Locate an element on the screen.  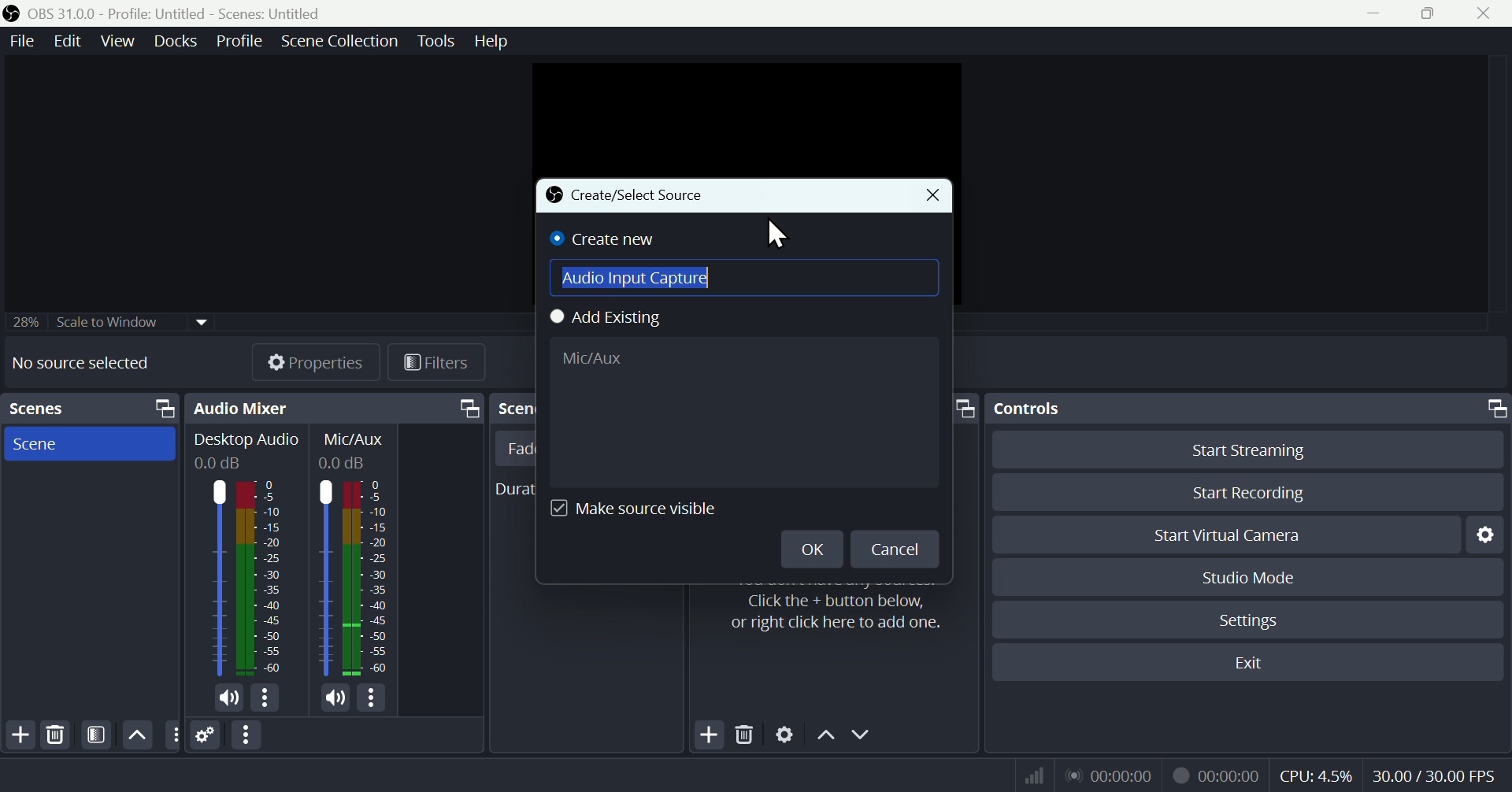
Scale to  is located at coordinates (103, 324).